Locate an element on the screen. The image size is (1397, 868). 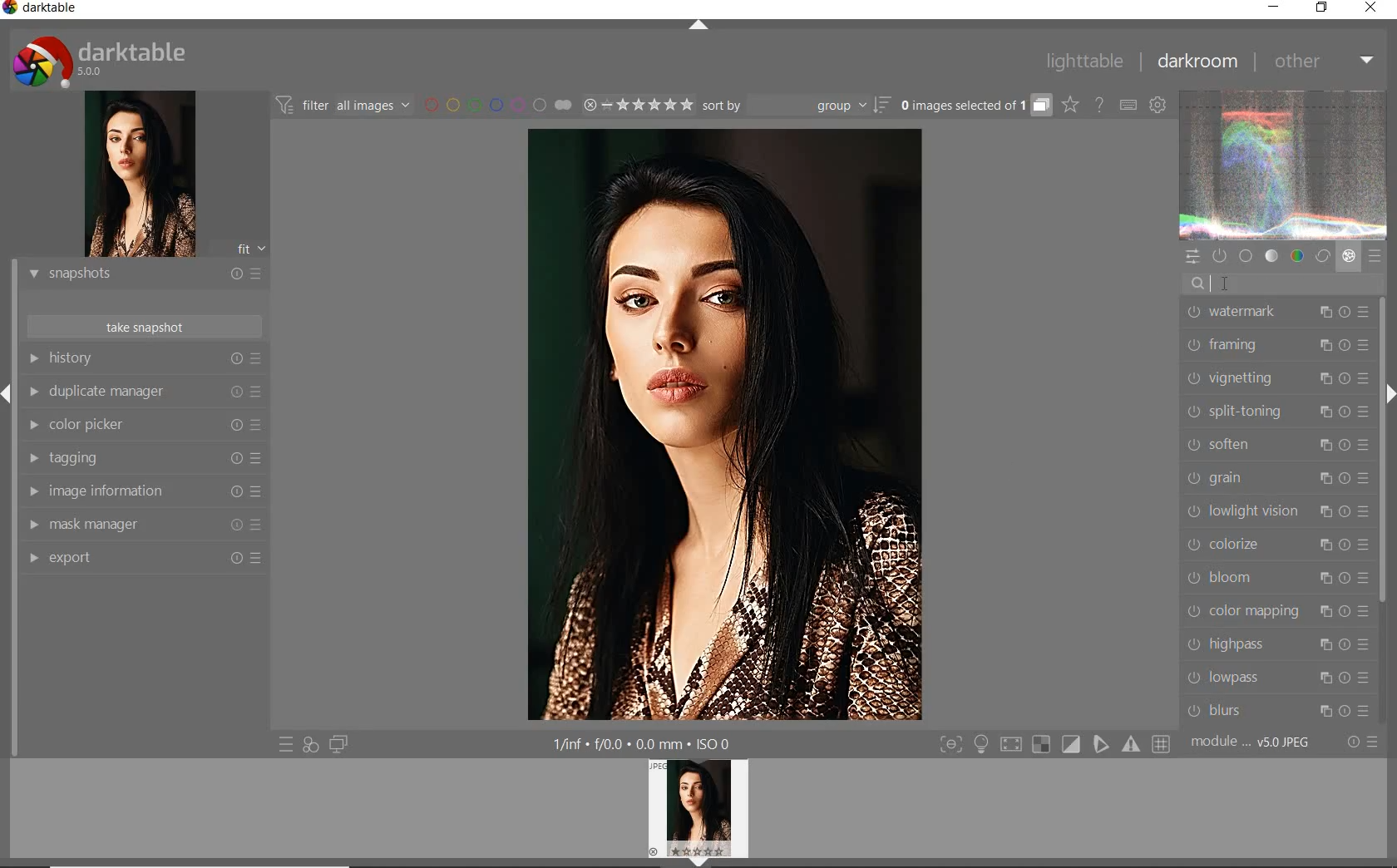
IMAGE INFORMATION is located at coordinates (141, 490).